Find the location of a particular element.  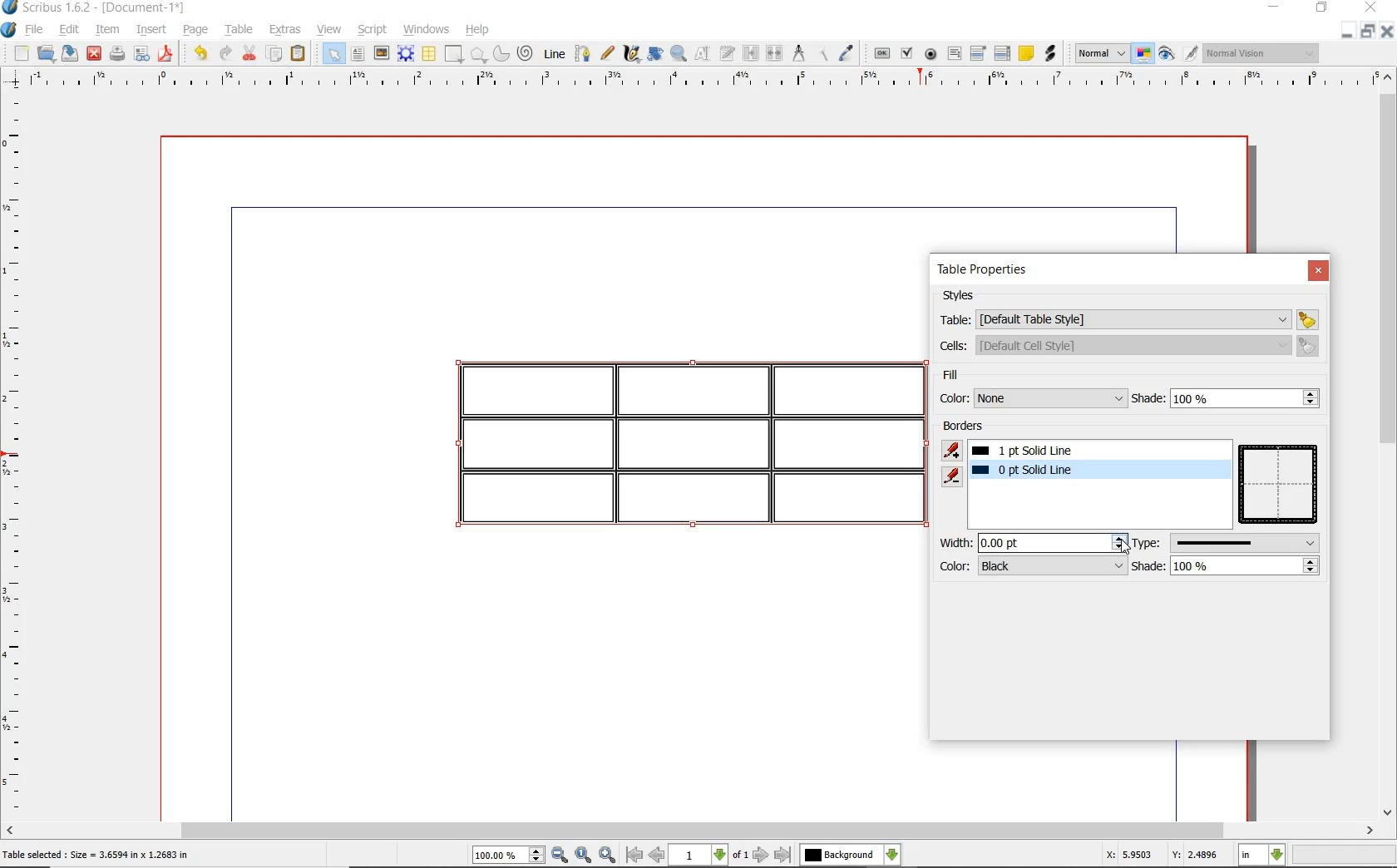

visual appearance of the display is located at coordinates (1266, 55).